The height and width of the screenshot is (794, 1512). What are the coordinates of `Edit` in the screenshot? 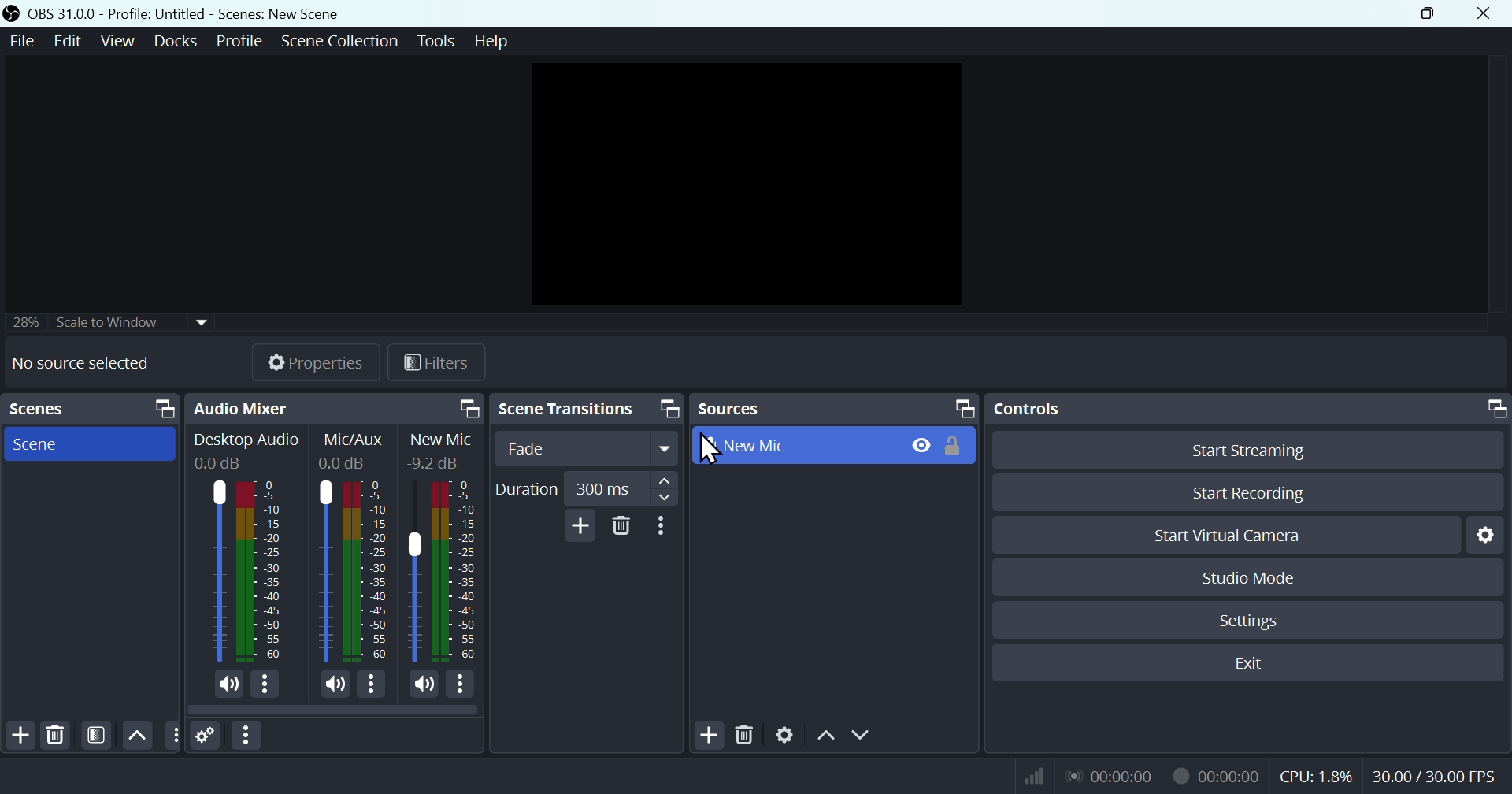 It's located at (64, 42).